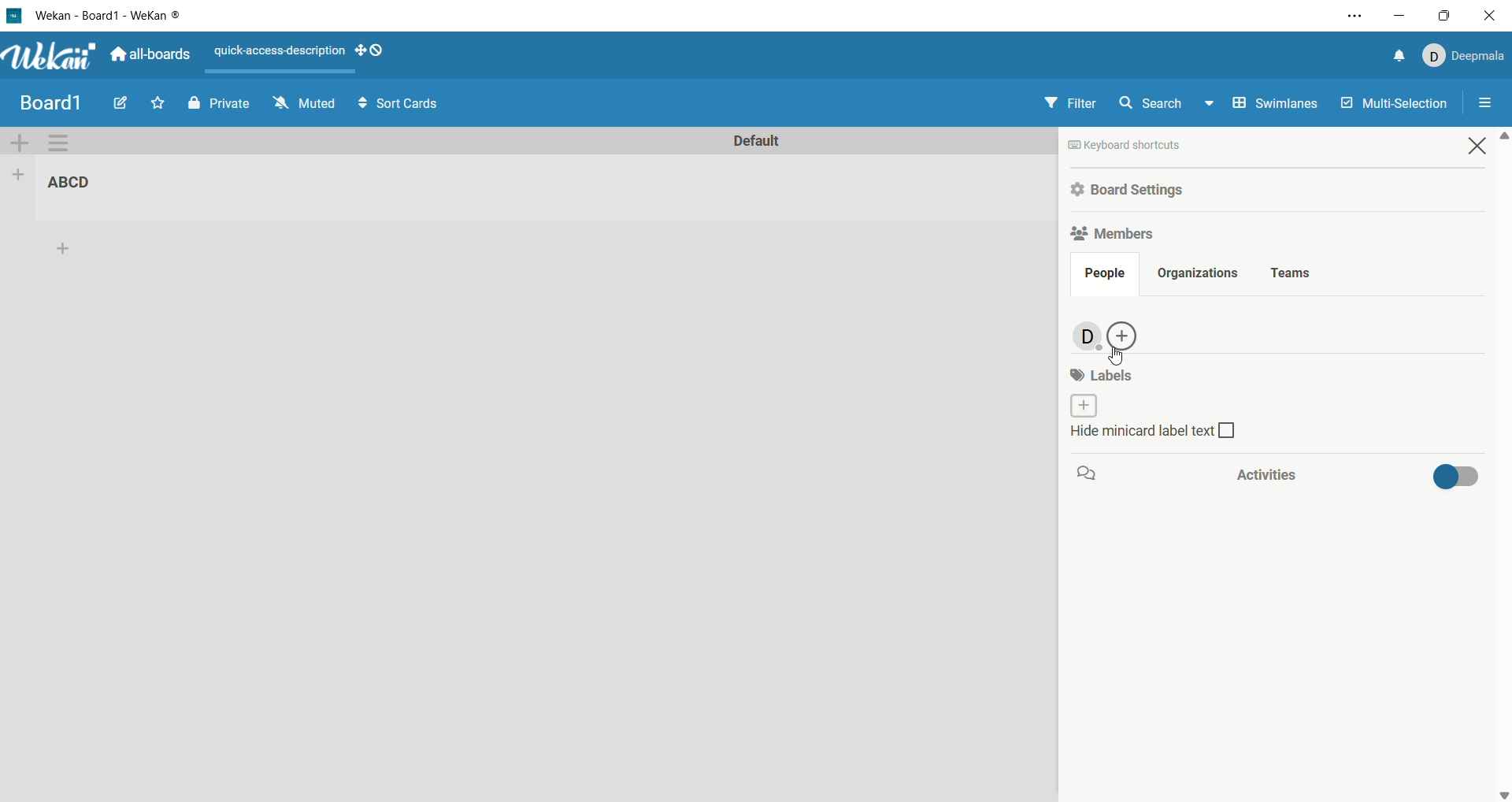  What do you see at coordinates (1091, 474) in the screenshot?
I see `comment` at bounding box center [1091, 474].